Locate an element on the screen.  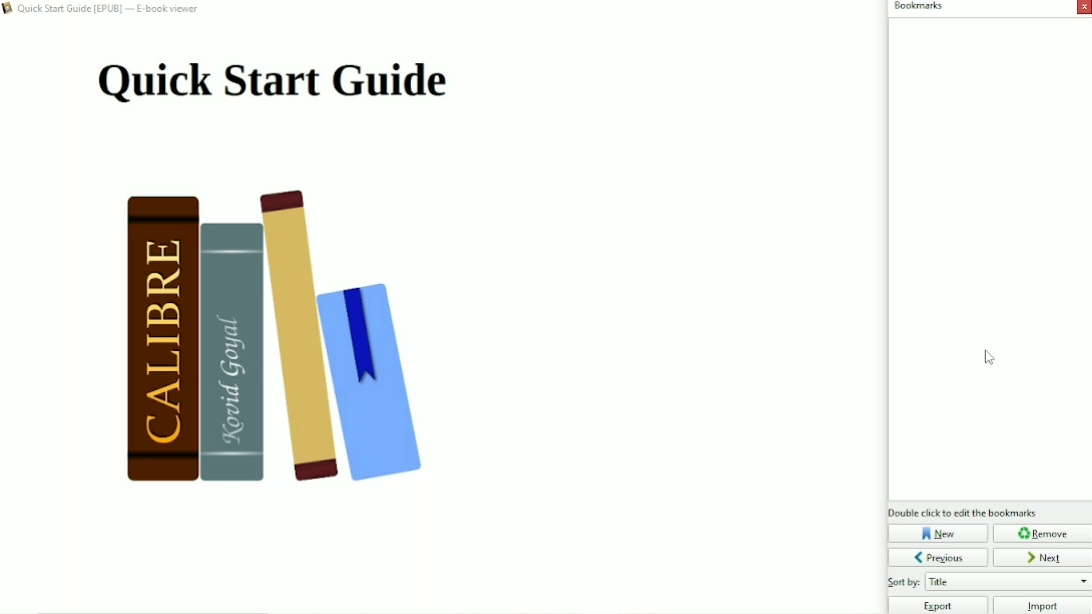
 is located at coordinates (905, 583).